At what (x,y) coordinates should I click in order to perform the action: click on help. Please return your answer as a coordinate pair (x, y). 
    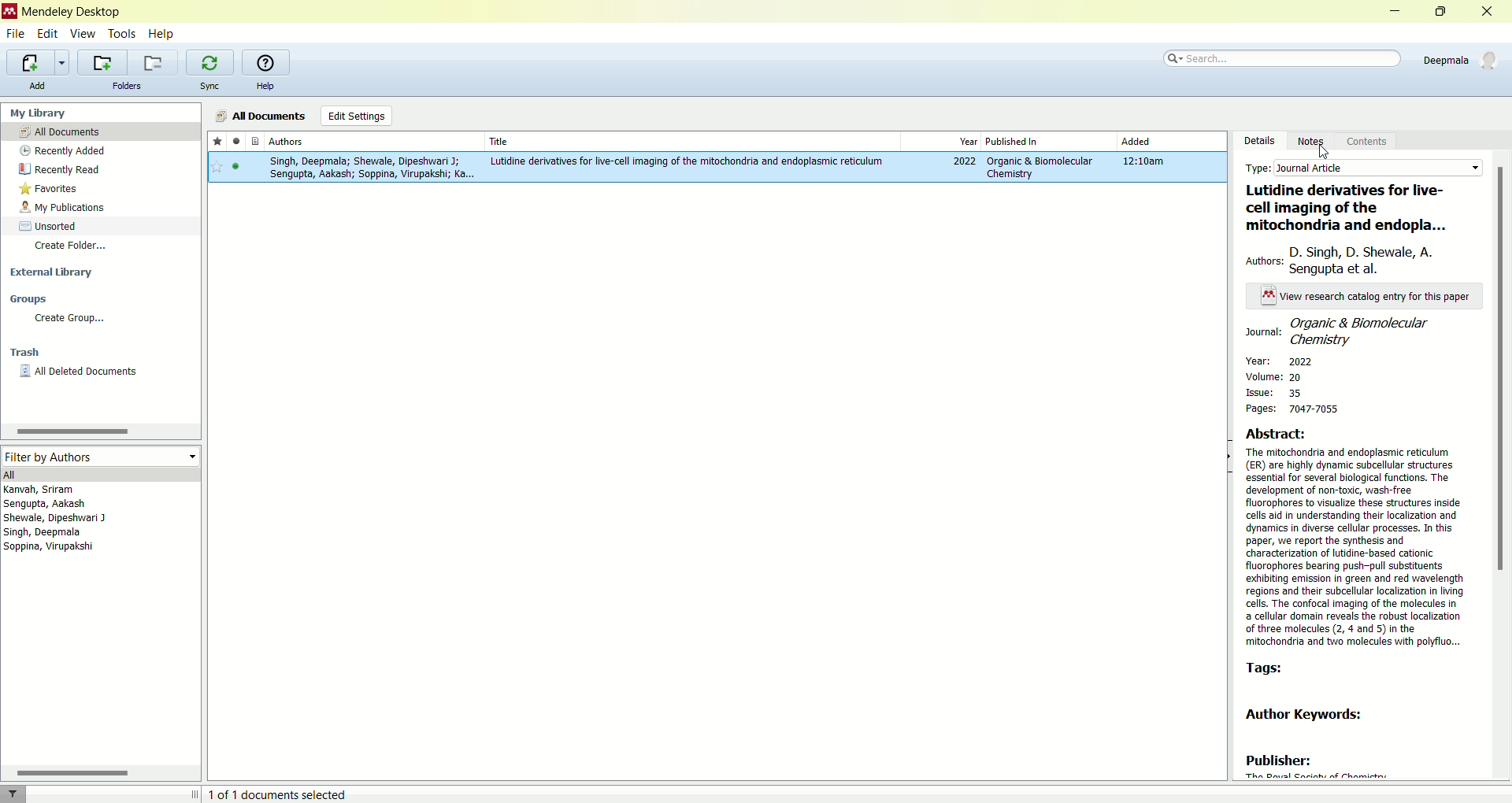
    Looking at the image, I should click on (265, 86).